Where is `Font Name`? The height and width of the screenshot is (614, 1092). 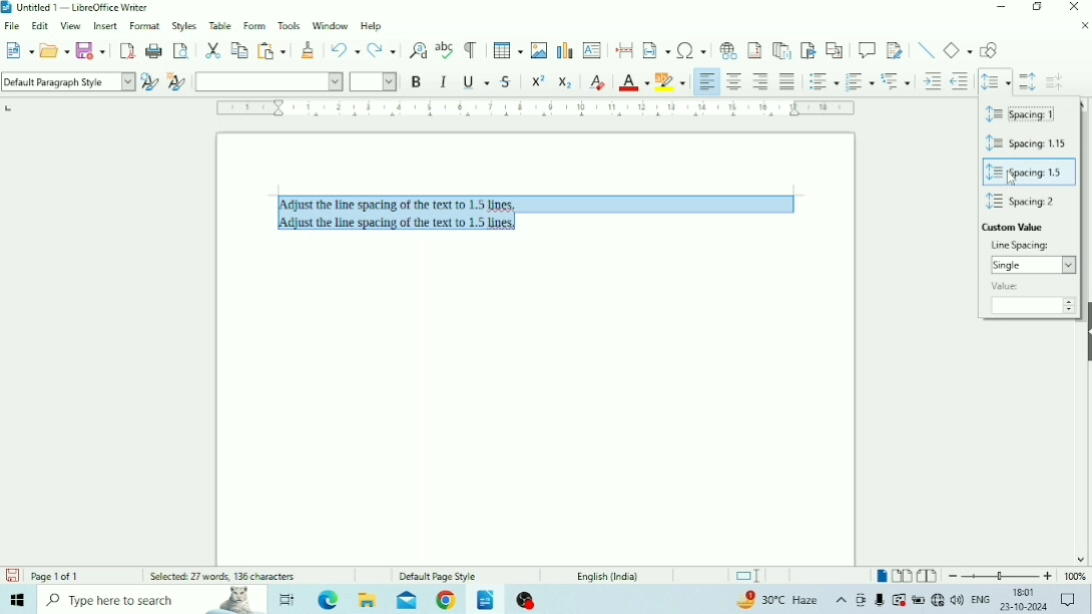 Font Name is located at coordinates (269, 81).